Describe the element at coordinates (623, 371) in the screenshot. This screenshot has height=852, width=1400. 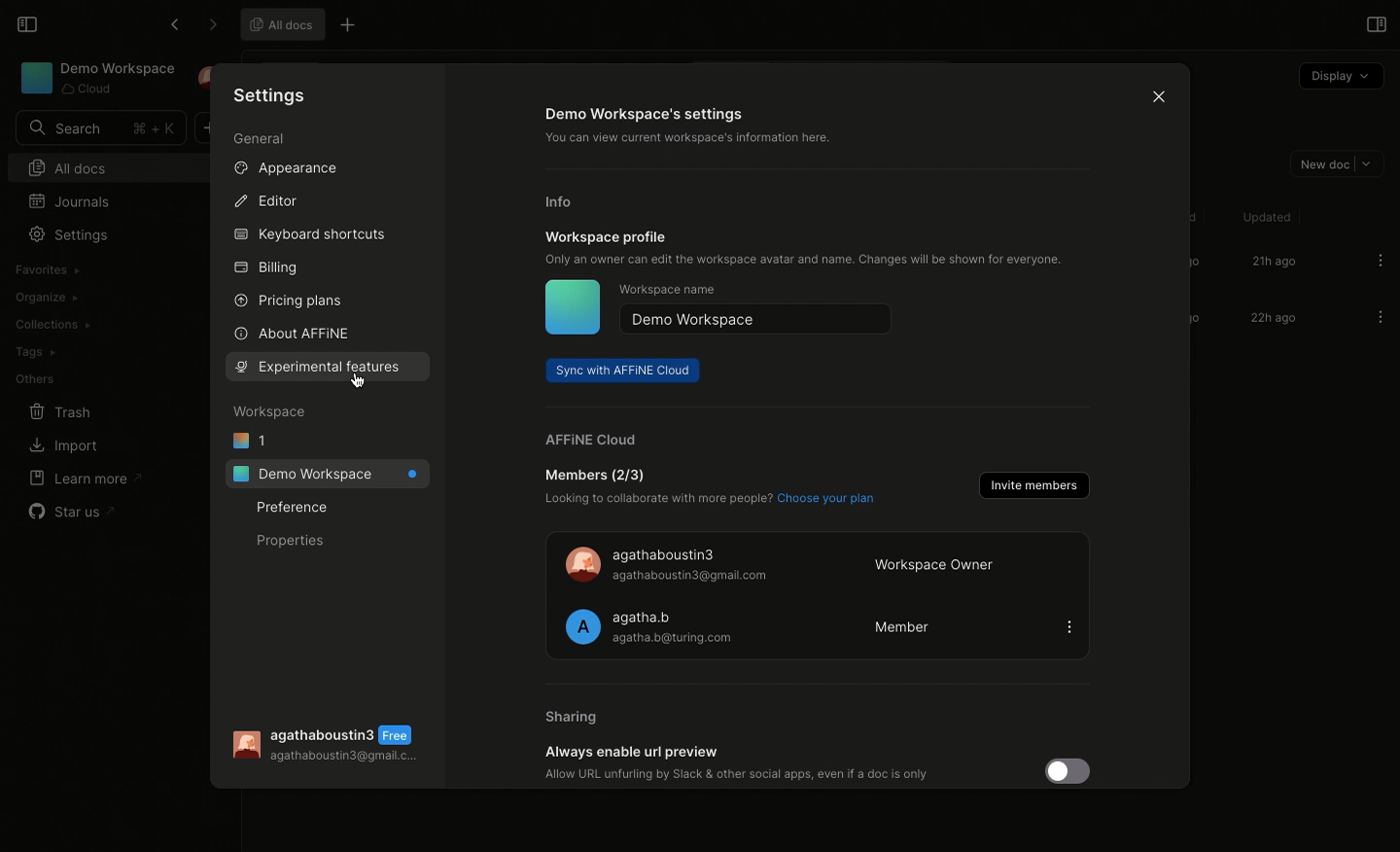
I see `Sync with AFFINE cloud` at that location.